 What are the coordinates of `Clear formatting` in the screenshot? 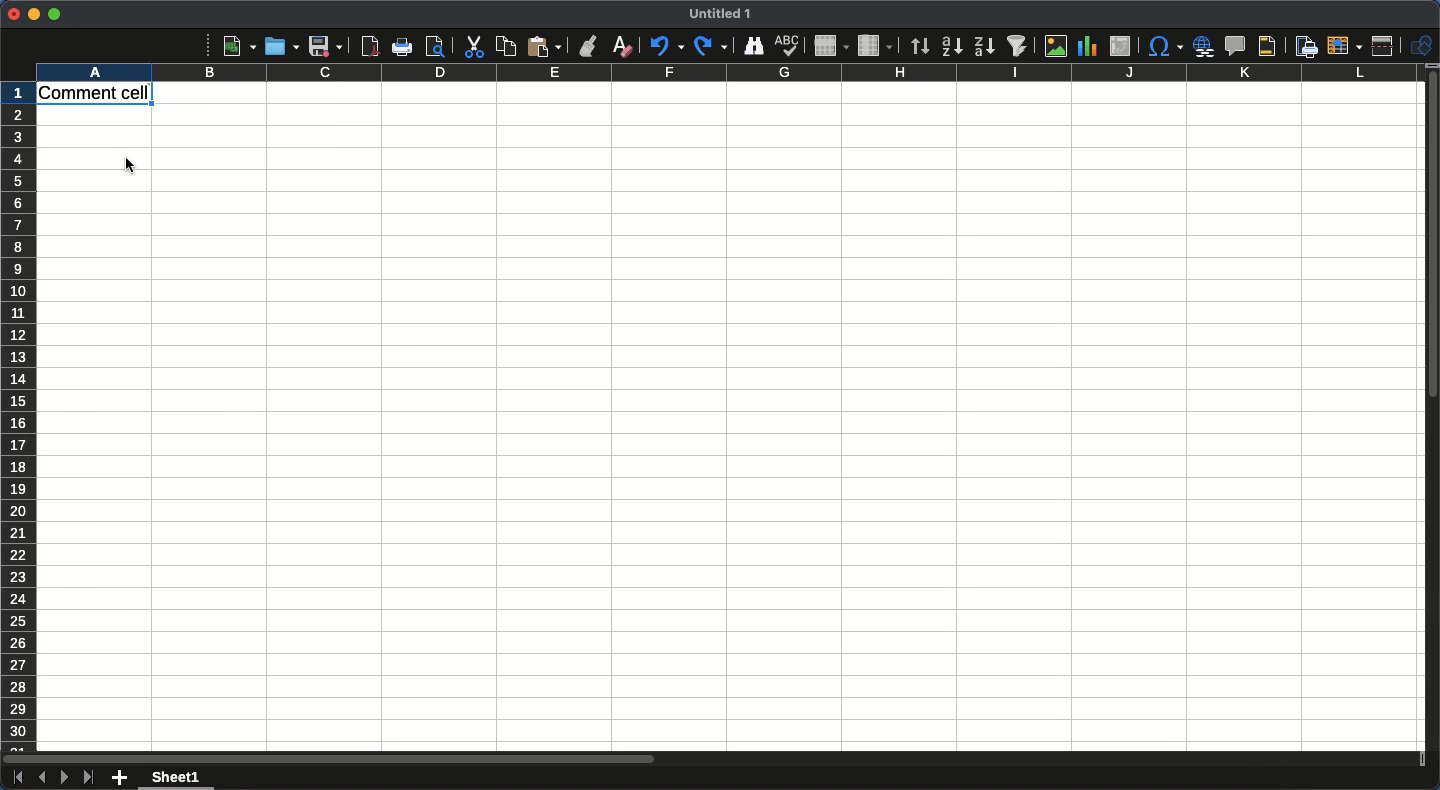 It's located at (625, 46).